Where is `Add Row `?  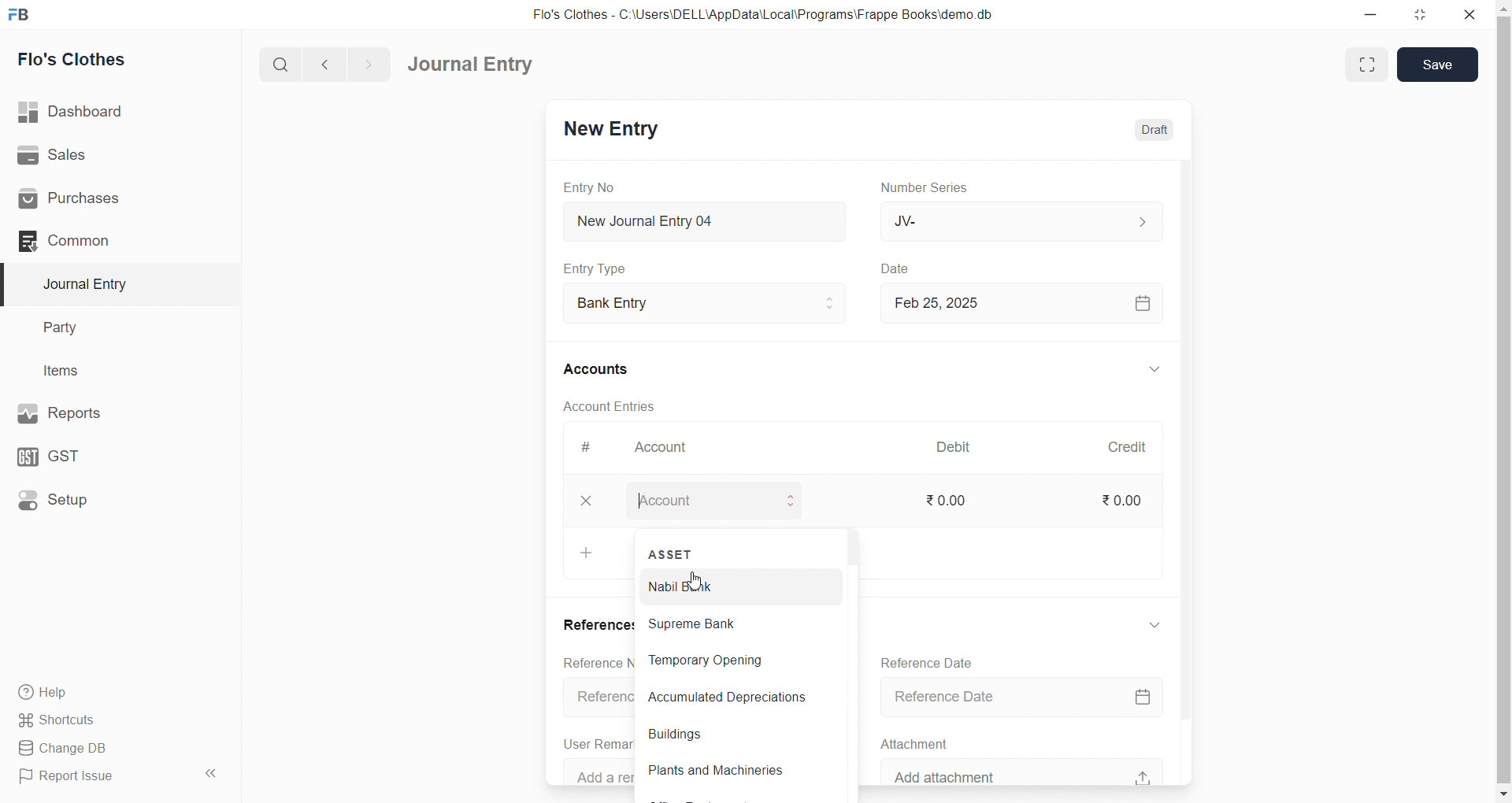
Add Row  is located at coordinates (589, 553).